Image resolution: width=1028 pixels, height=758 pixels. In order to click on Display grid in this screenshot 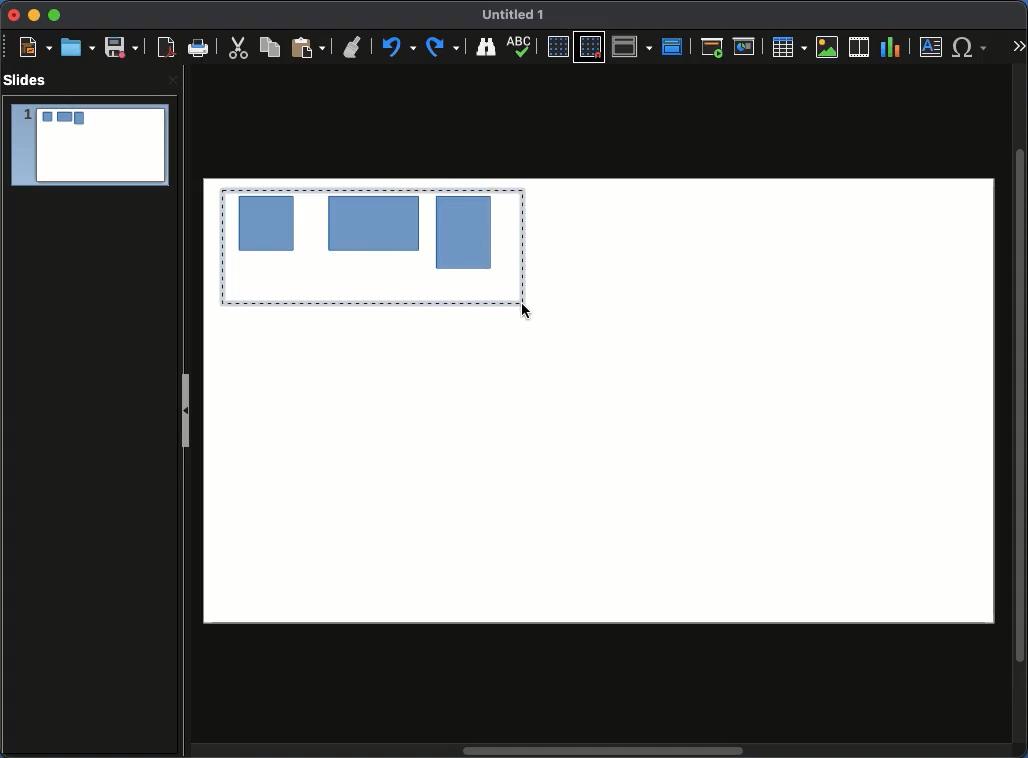, I will do `click(556, 47)`.